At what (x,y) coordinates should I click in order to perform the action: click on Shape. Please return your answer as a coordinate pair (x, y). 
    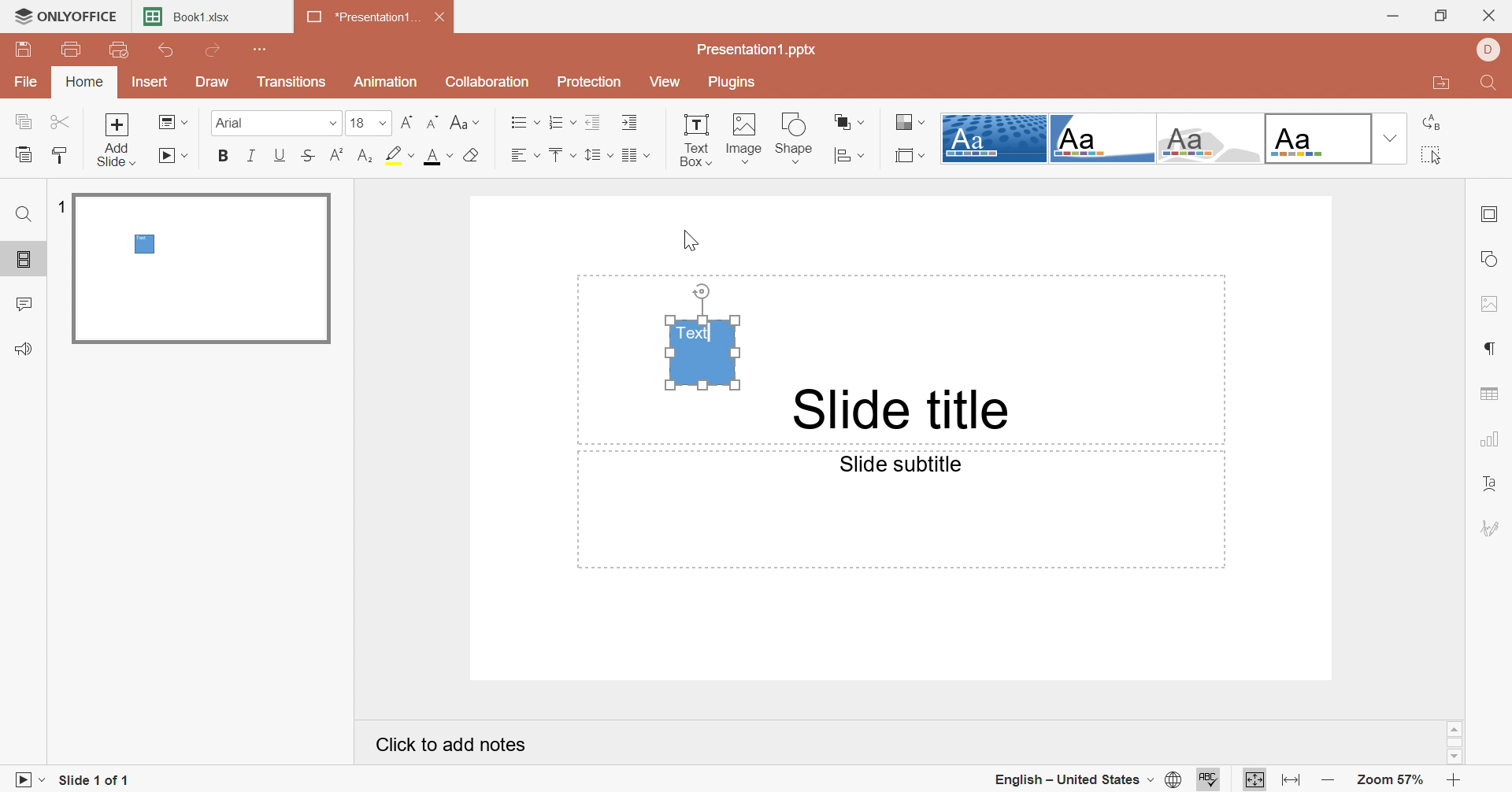
    Looking at the image, I should click on (703, 353).